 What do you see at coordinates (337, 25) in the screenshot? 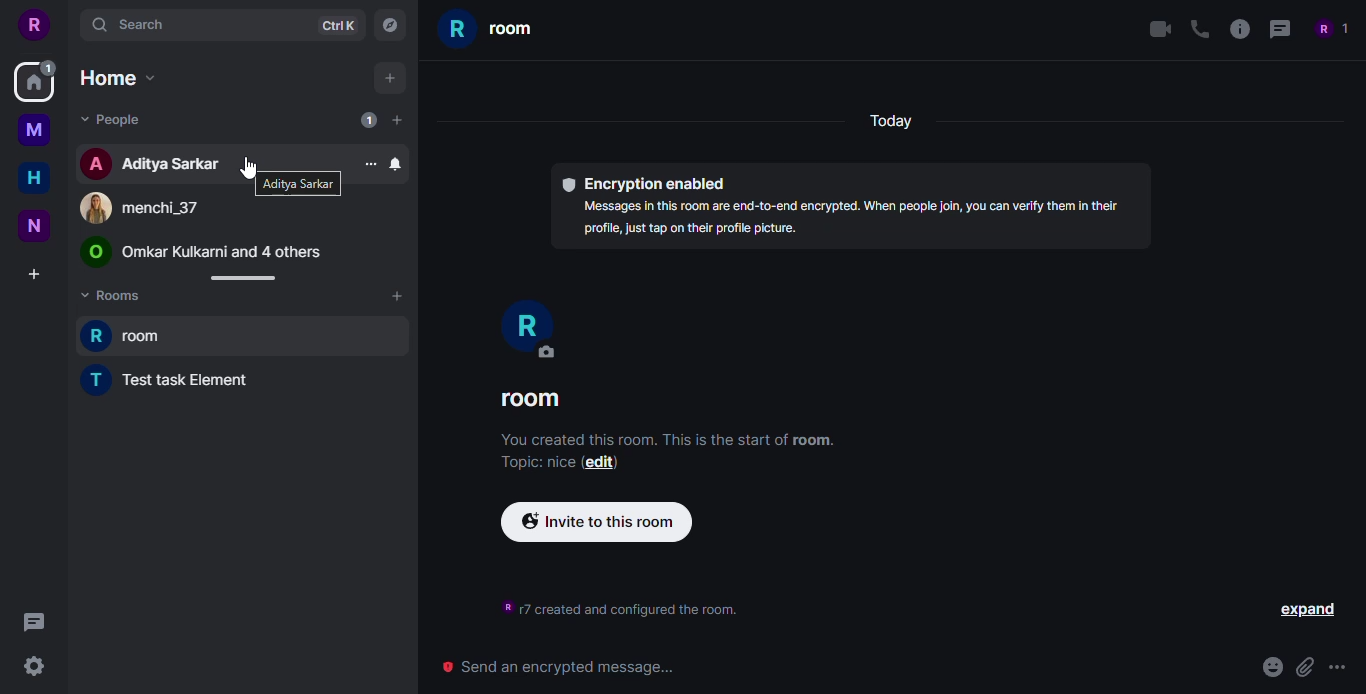
I see `ctrl K` at bounding box center [337, 25].